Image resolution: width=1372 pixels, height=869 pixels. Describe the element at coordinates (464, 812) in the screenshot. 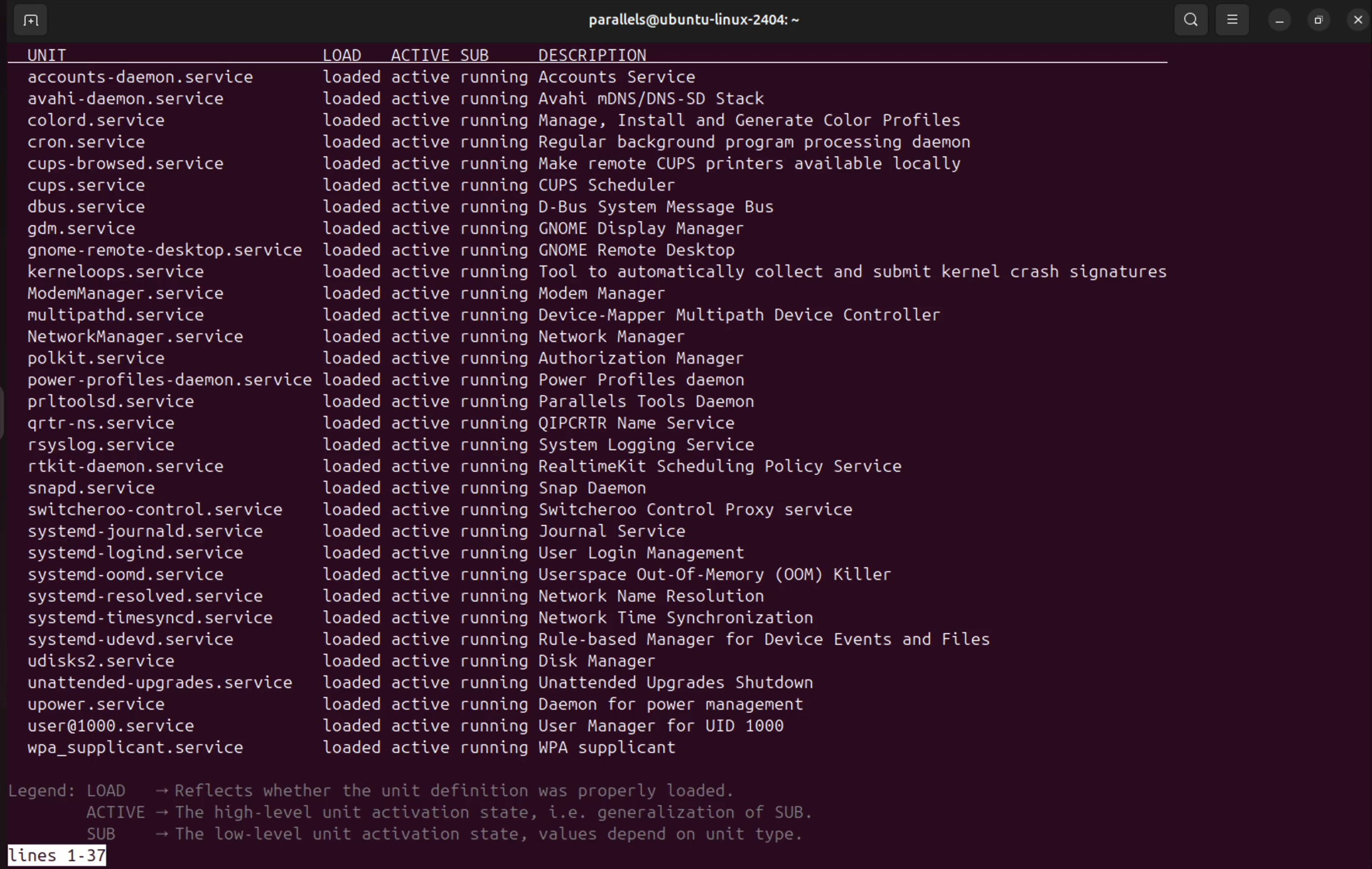

I see `active stauts description` at that location.